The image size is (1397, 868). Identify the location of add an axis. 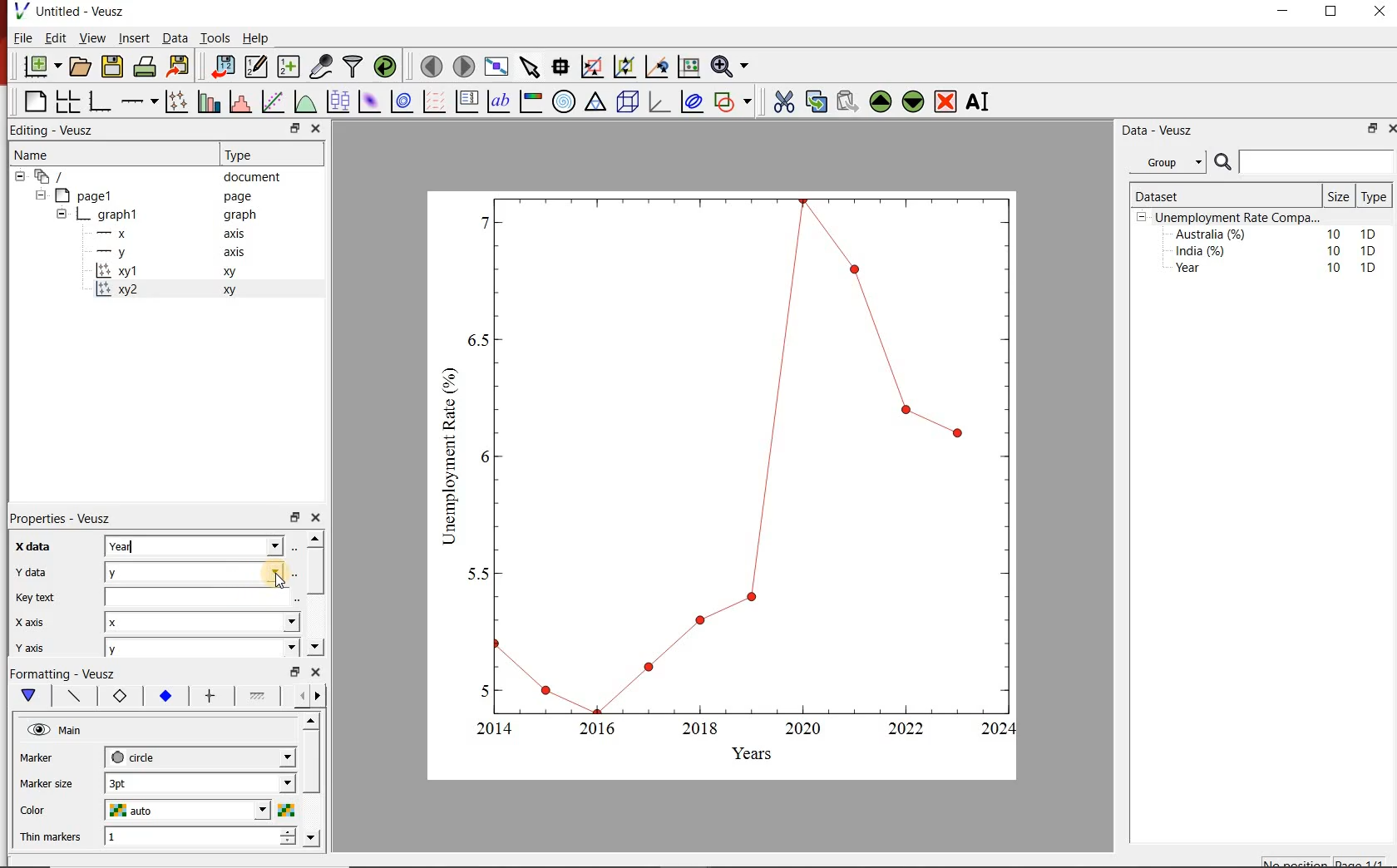
(138, 101).